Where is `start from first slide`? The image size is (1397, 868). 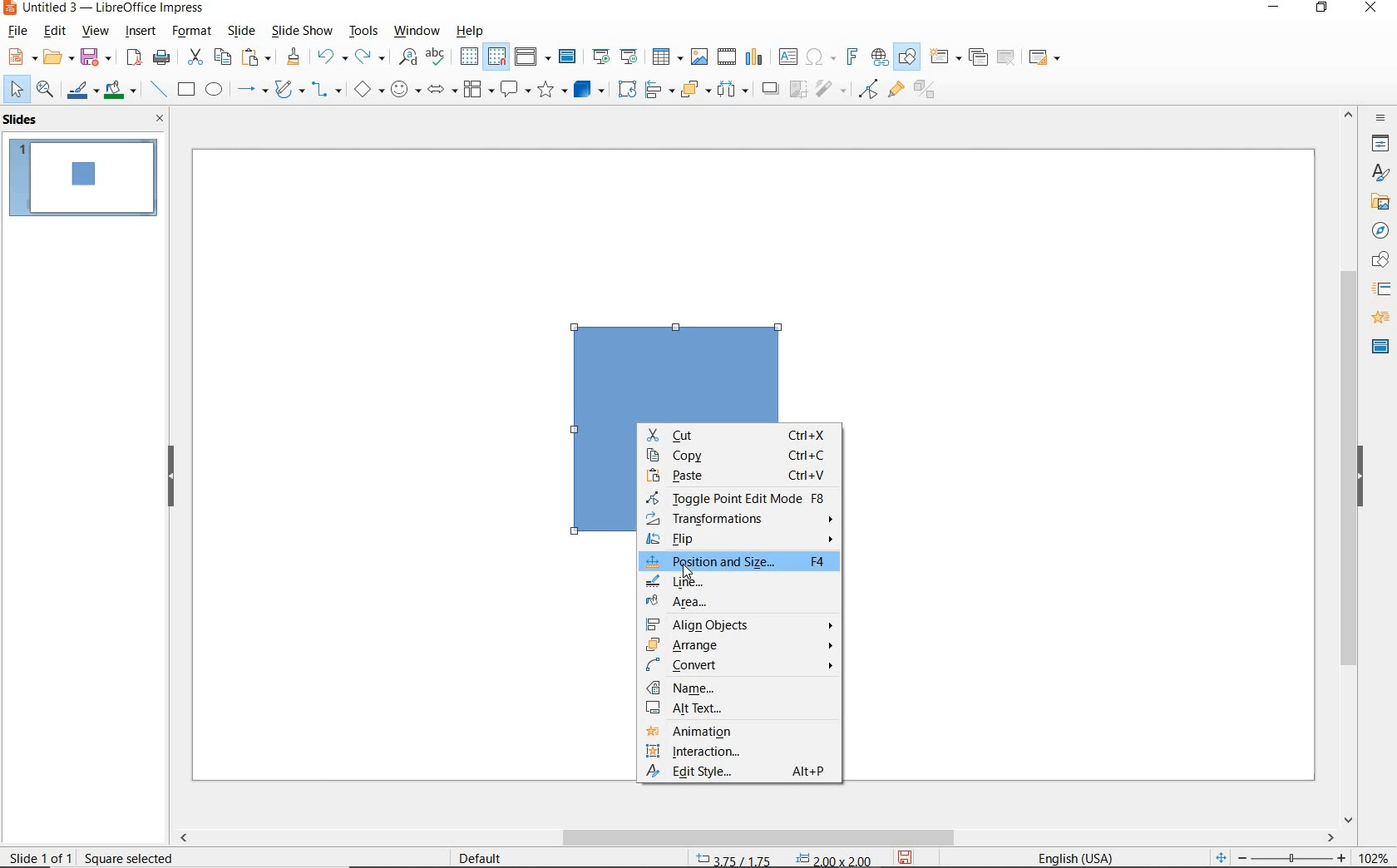 start from first slide is located at coordinates (602, 54).